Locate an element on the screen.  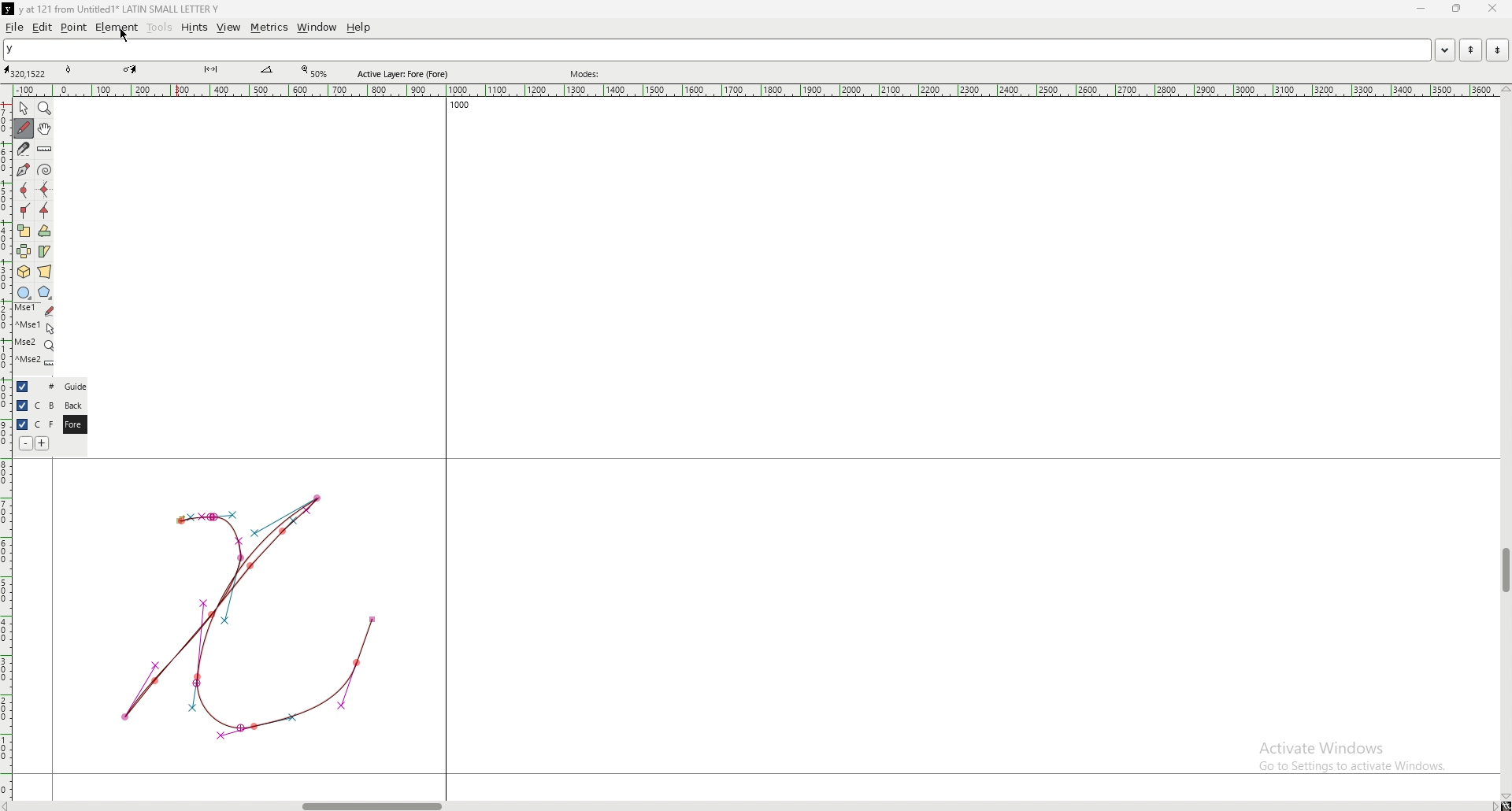
add a tangent point is located at coordinates (45, 211).